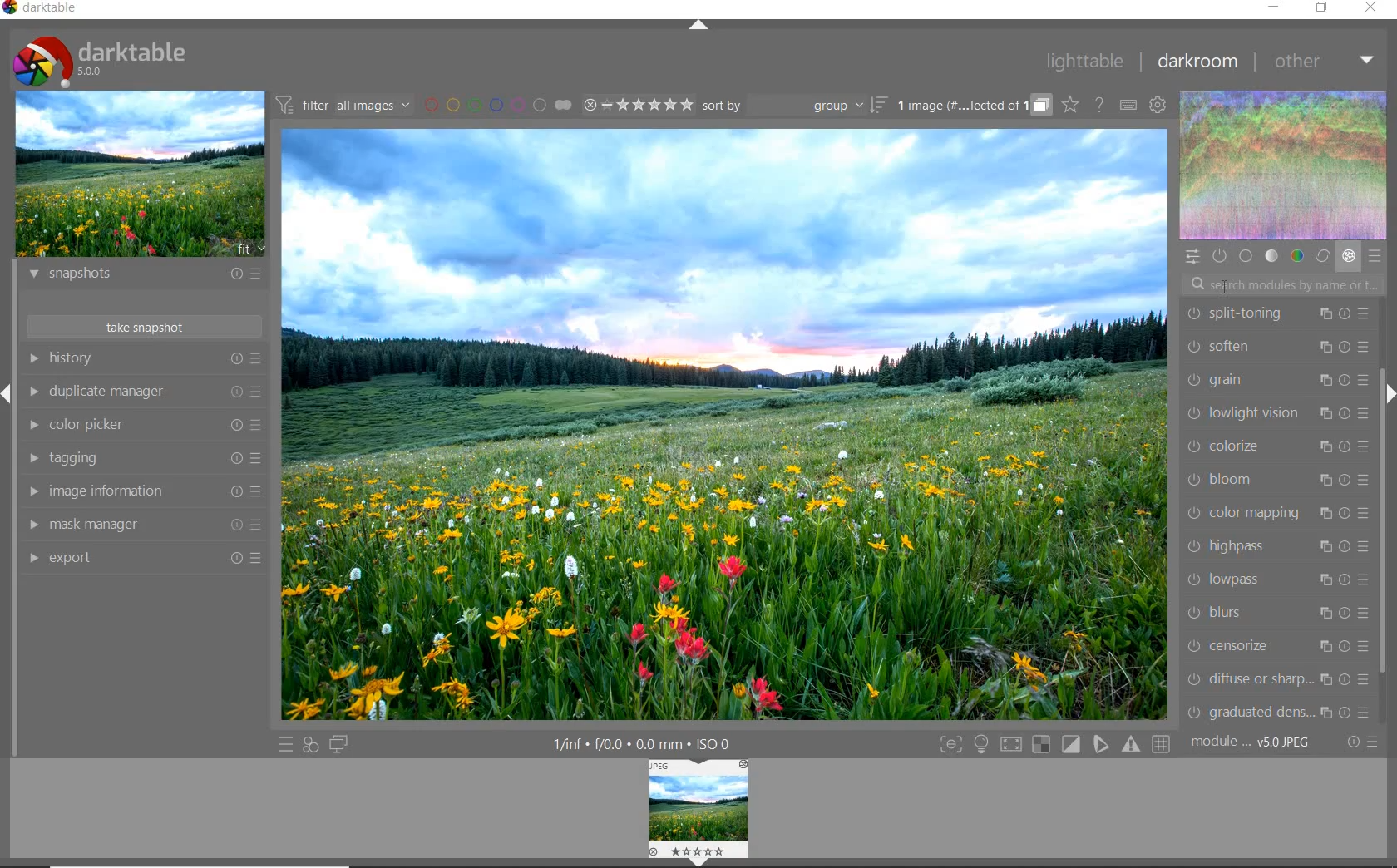  What do you see at coordinates (142, 459) in the screenshot?
I see `tagging` at bounding box center [142, 459].